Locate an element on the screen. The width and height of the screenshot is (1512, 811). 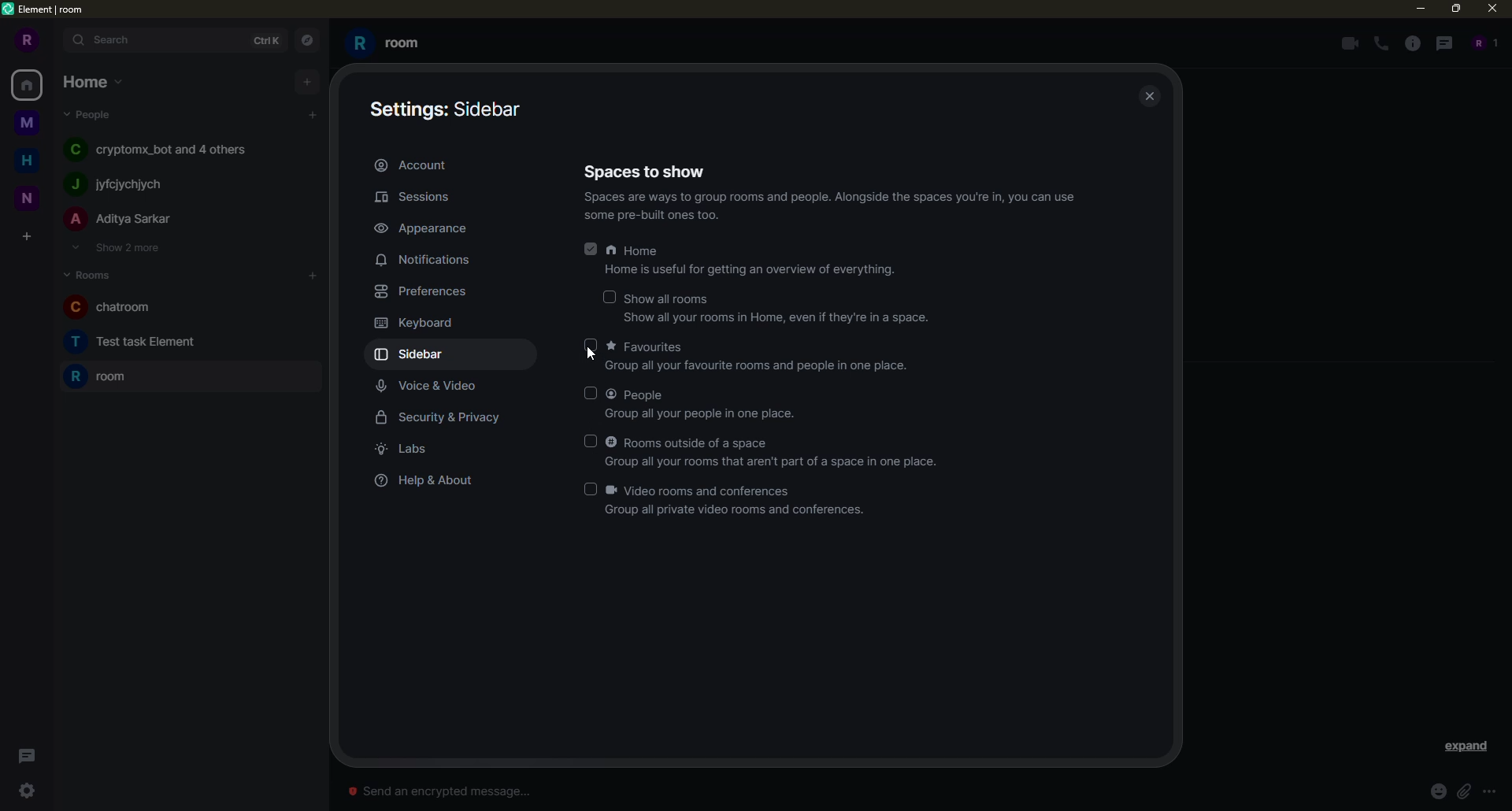
maximize is located at coordinates (1455, 9).